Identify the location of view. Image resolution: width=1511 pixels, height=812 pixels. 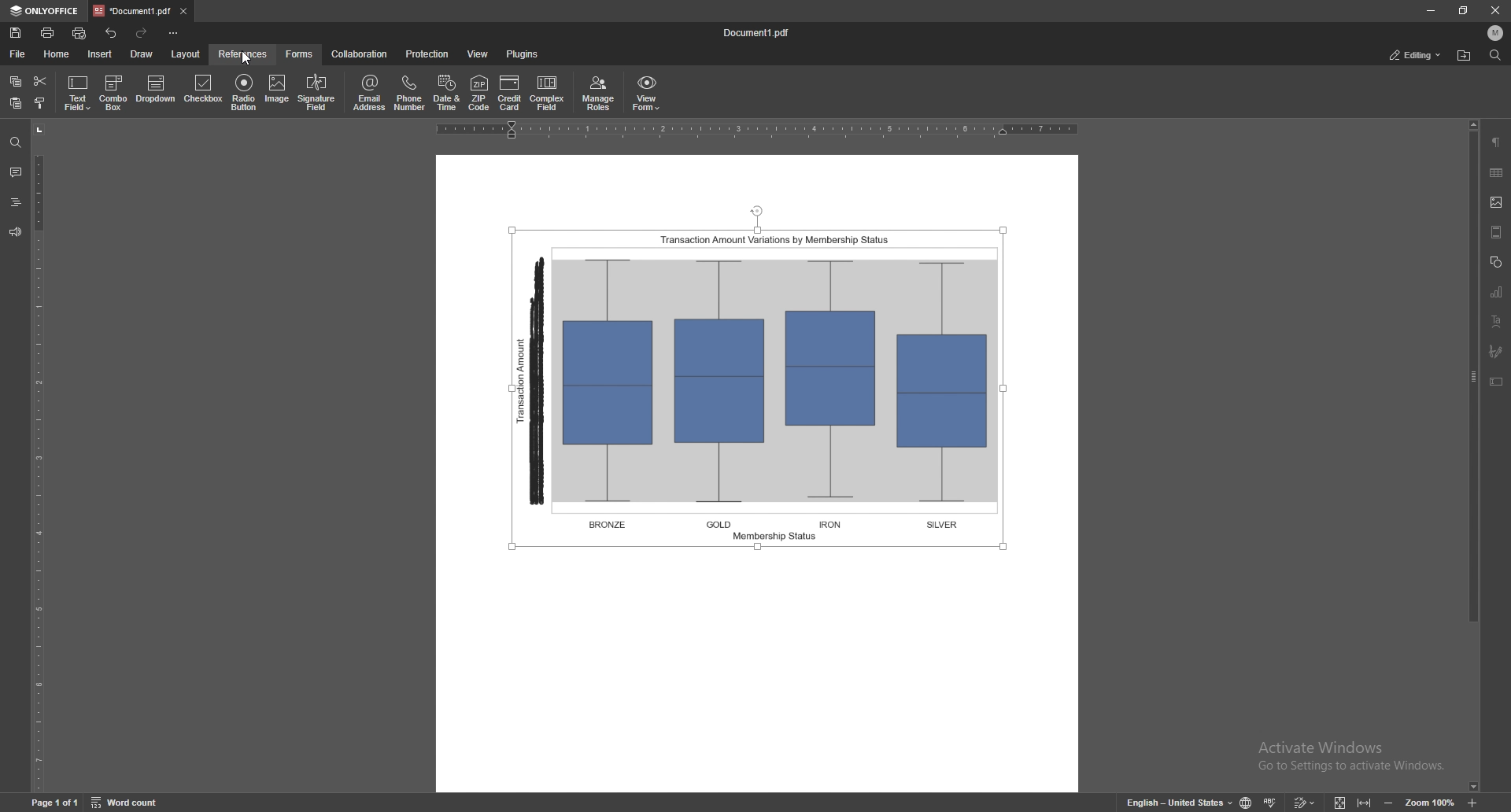
(478, 54).